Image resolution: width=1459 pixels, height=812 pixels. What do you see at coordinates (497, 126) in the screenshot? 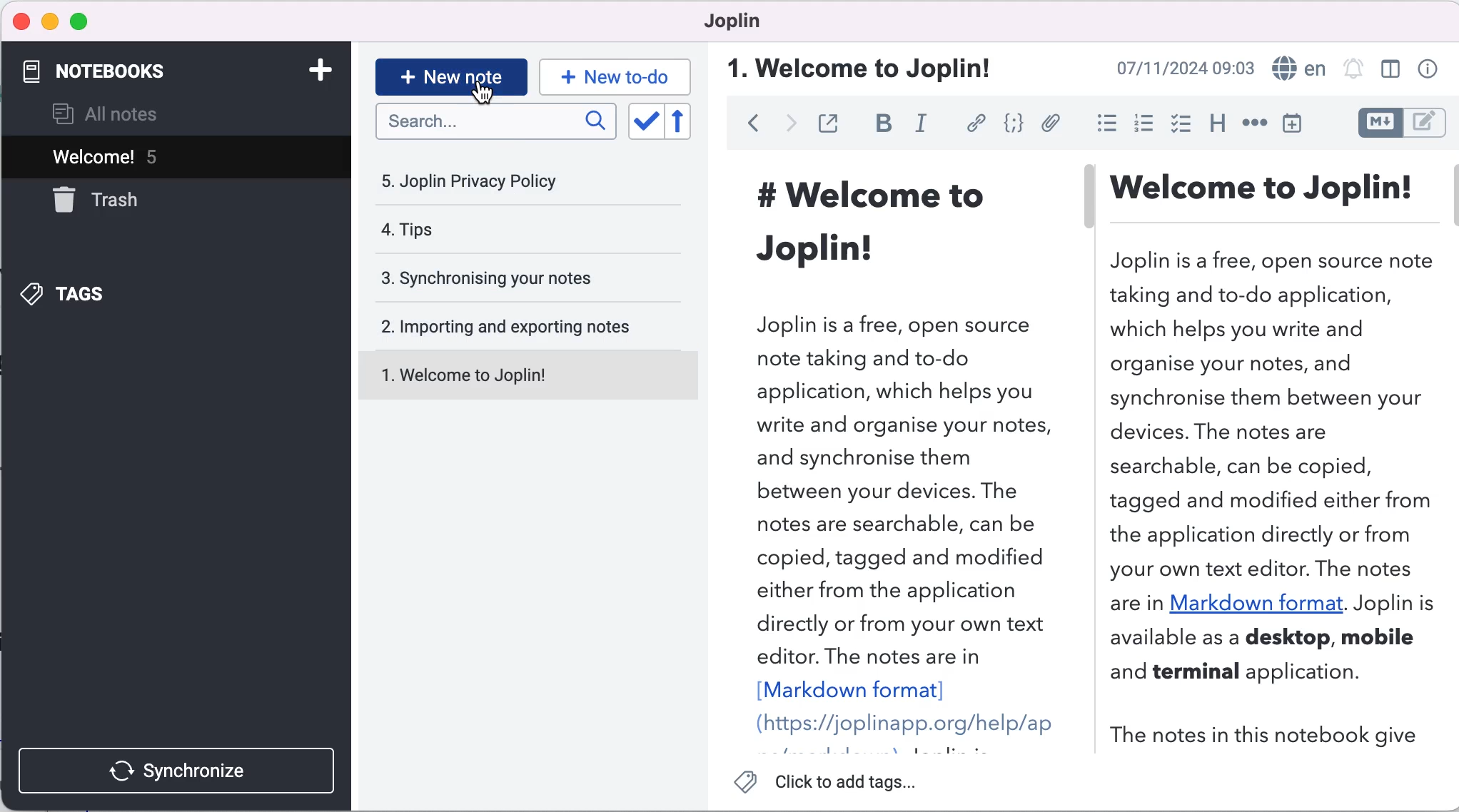
I see `search` at bounding box center [497, 126].